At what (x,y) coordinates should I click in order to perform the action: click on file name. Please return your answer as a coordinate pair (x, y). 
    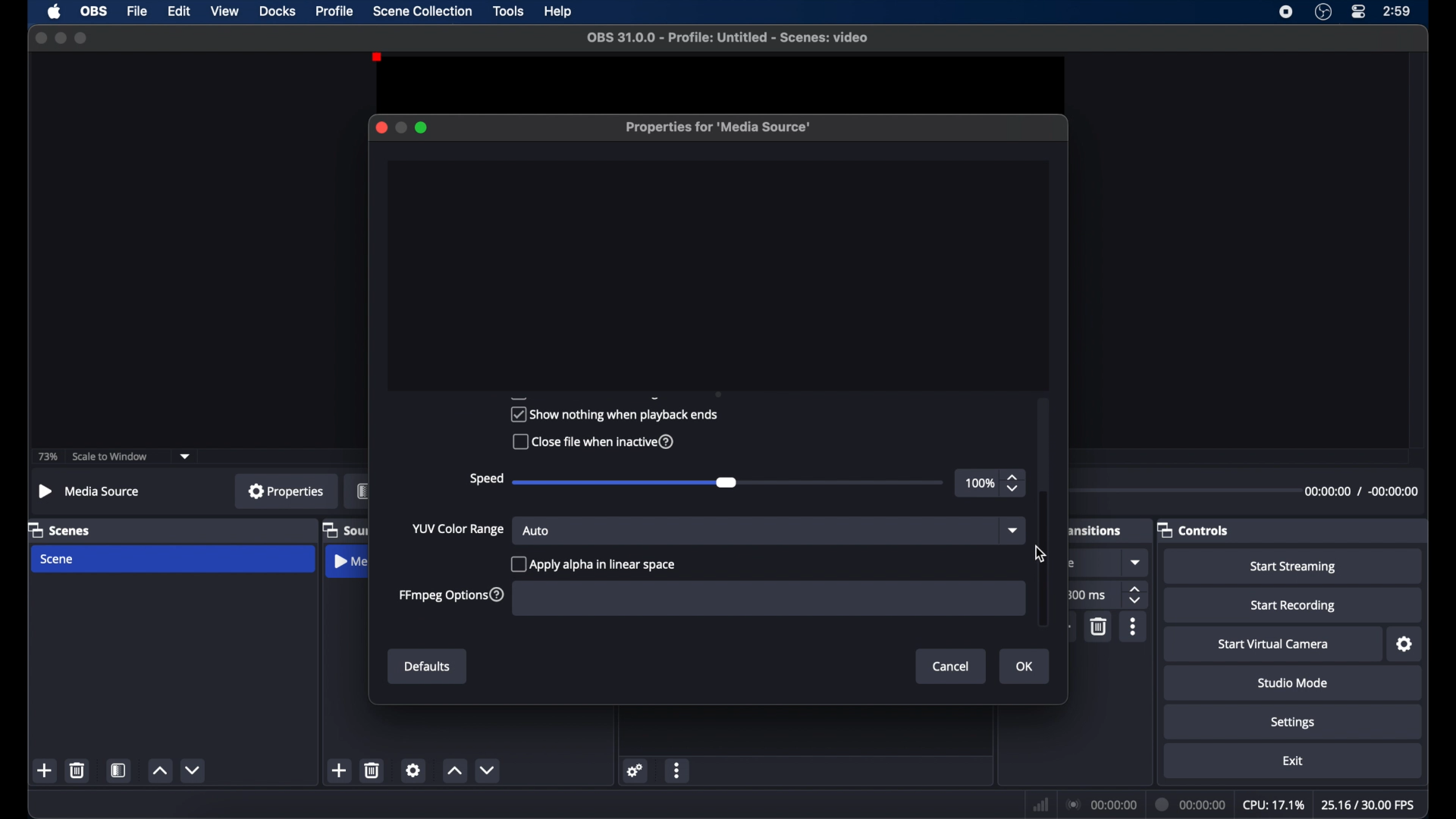
    Looking at the image, I should click on (729, 38).